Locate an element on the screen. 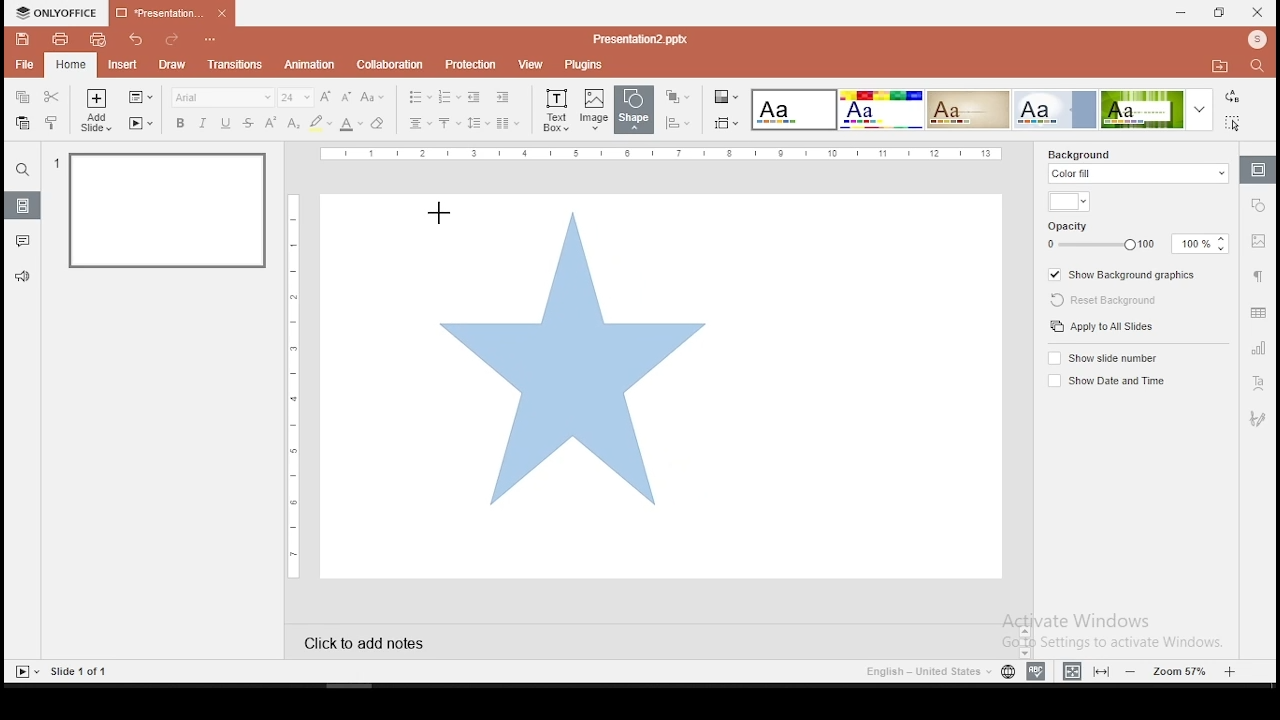 This screenshot has height=720, width=1280. fit to width is located at coordinates (1072, 670).